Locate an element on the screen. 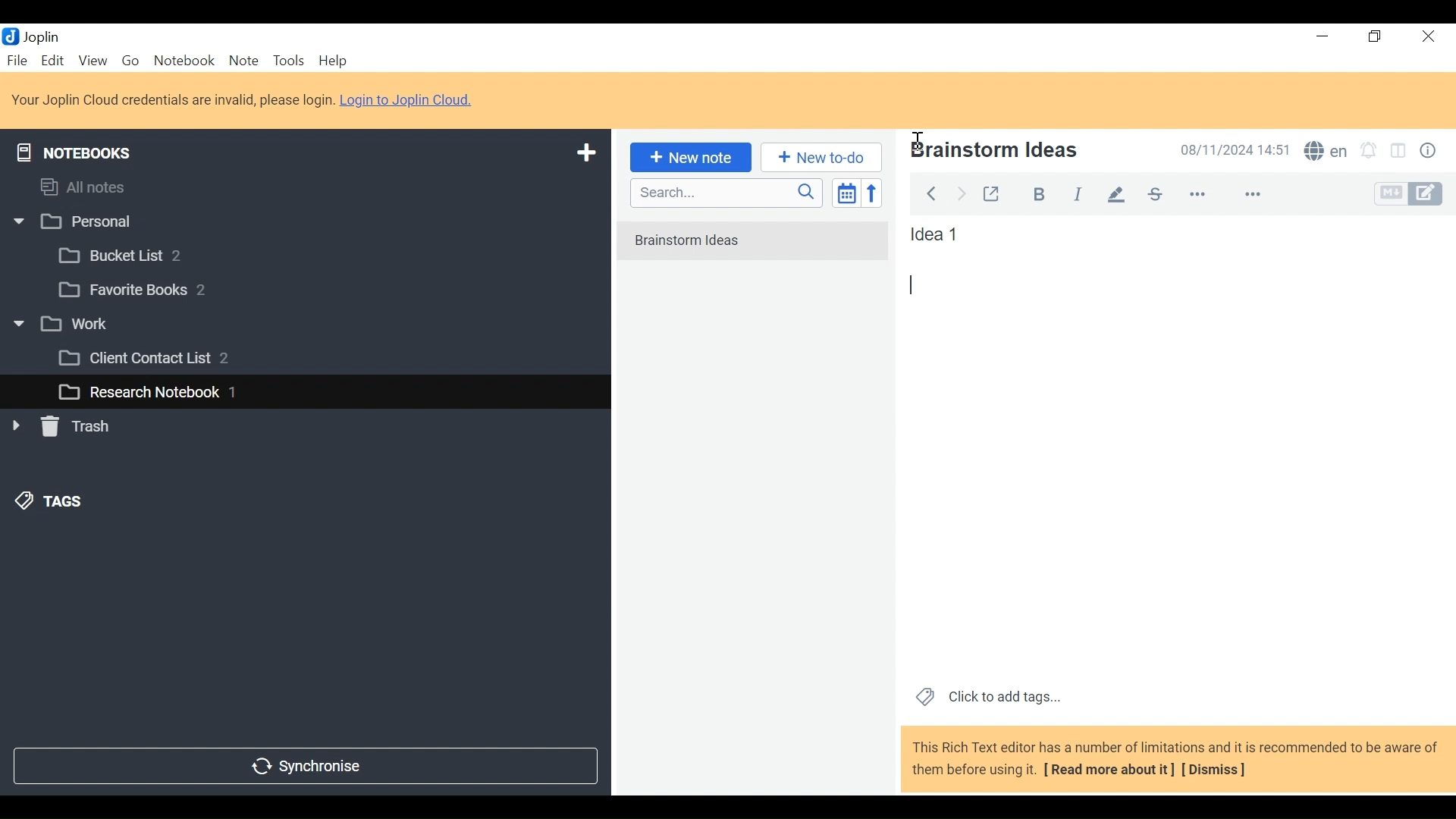 This screenshot has height=819, width=1456. strikethrough is located at coordinates (1154, 193).